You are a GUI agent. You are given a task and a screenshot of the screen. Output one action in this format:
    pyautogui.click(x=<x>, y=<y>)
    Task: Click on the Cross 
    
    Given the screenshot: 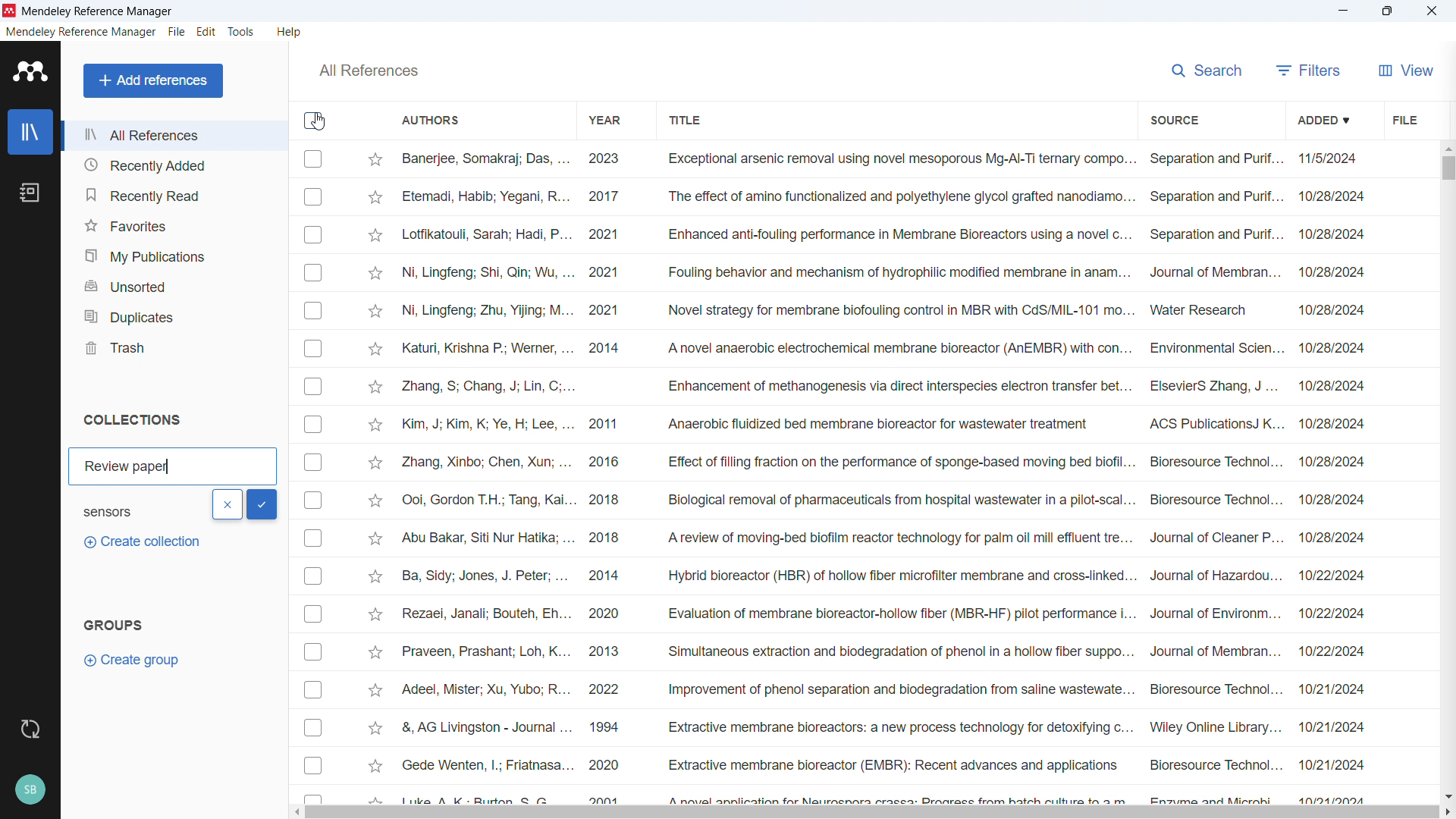 What is the action you would take?
    pyautogui.click(x=227, y=504)
    